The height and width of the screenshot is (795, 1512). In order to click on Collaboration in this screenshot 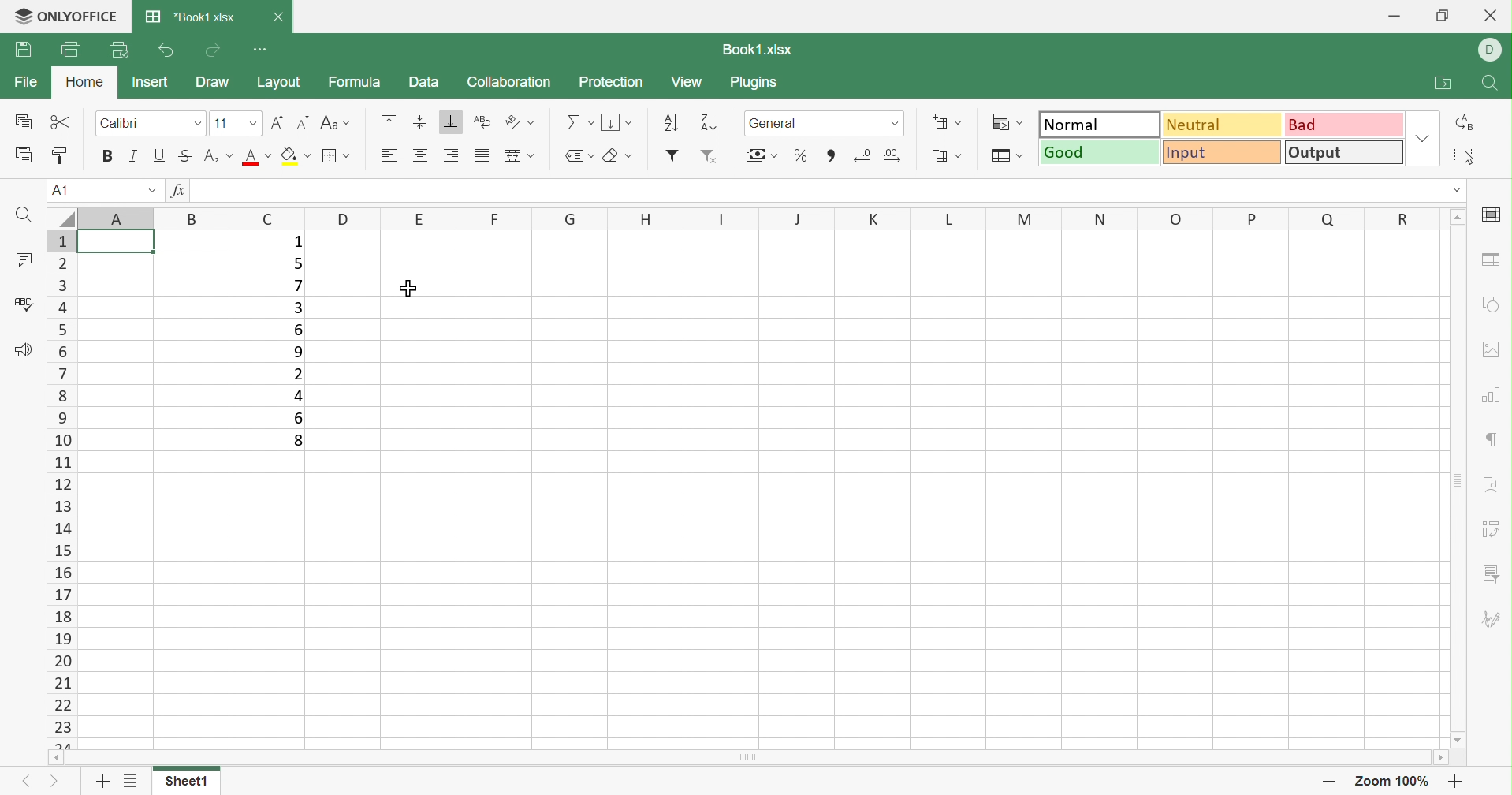, I will do `click(515, 82)`.